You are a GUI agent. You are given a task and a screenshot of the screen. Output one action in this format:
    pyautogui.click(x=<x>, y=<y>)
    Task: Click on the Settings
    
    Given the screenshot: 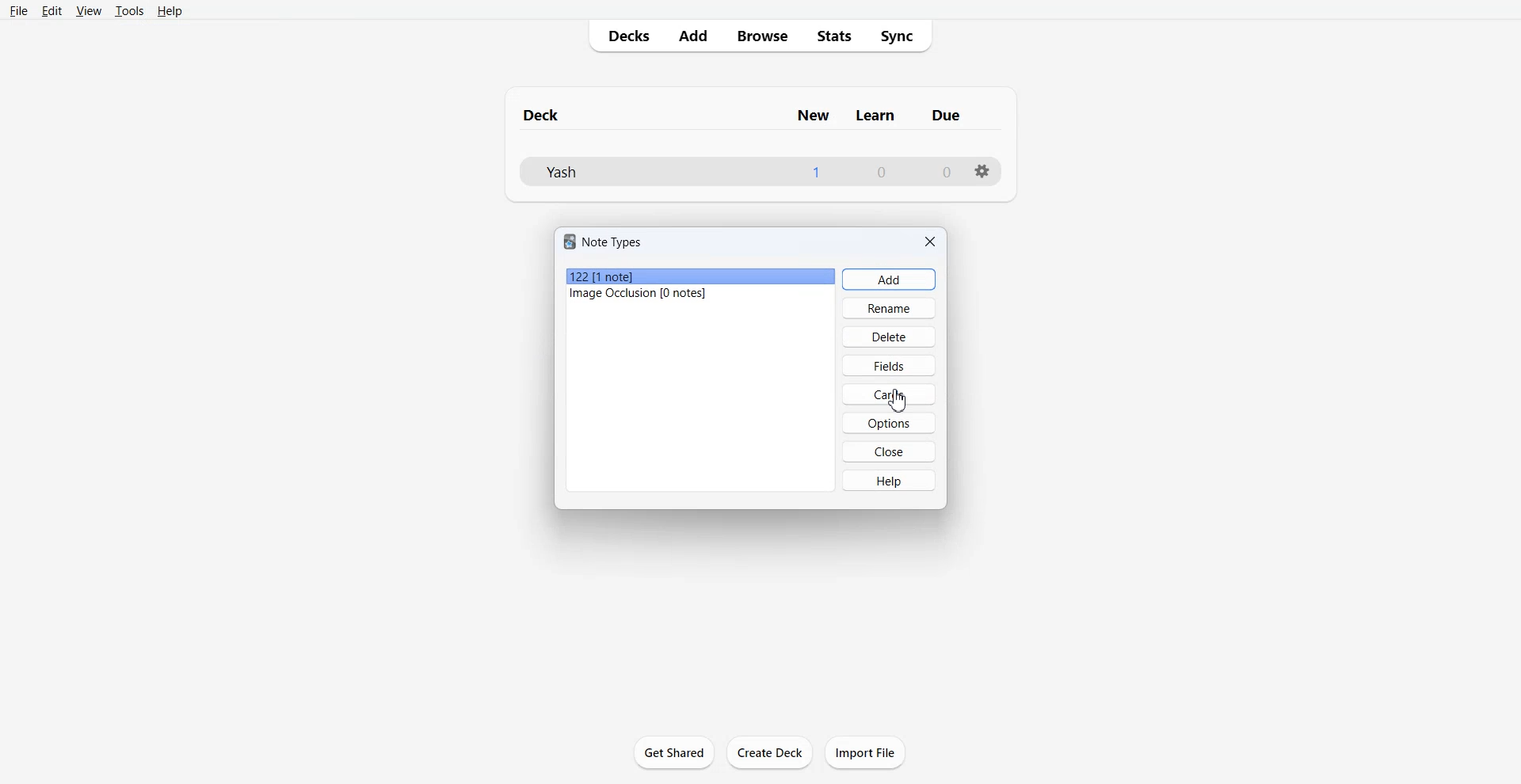 What is the action you would take?
    pyautogui.click(x=980, y=171)
    